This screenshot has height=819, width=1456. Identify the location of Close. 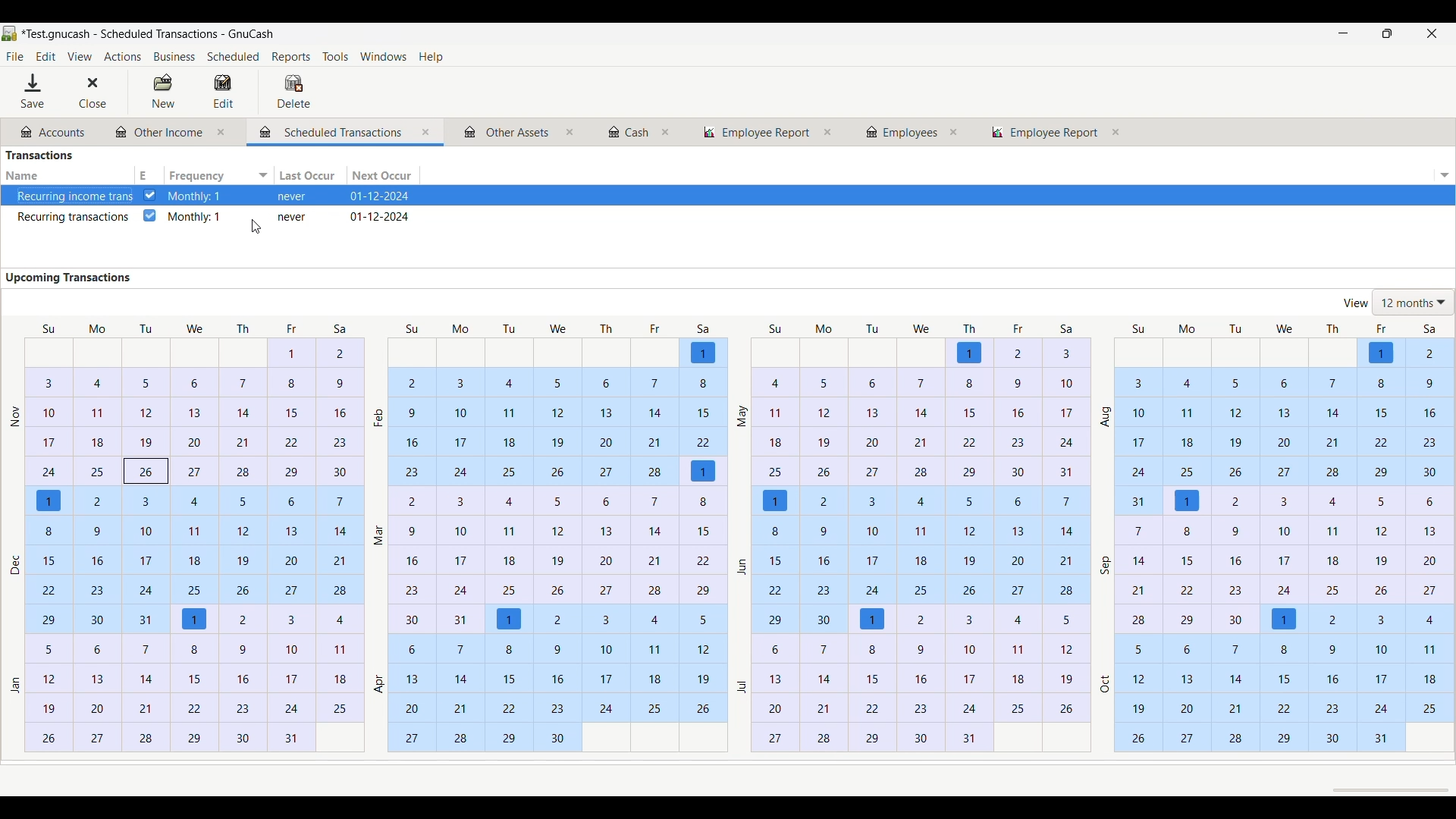
(91, 93).